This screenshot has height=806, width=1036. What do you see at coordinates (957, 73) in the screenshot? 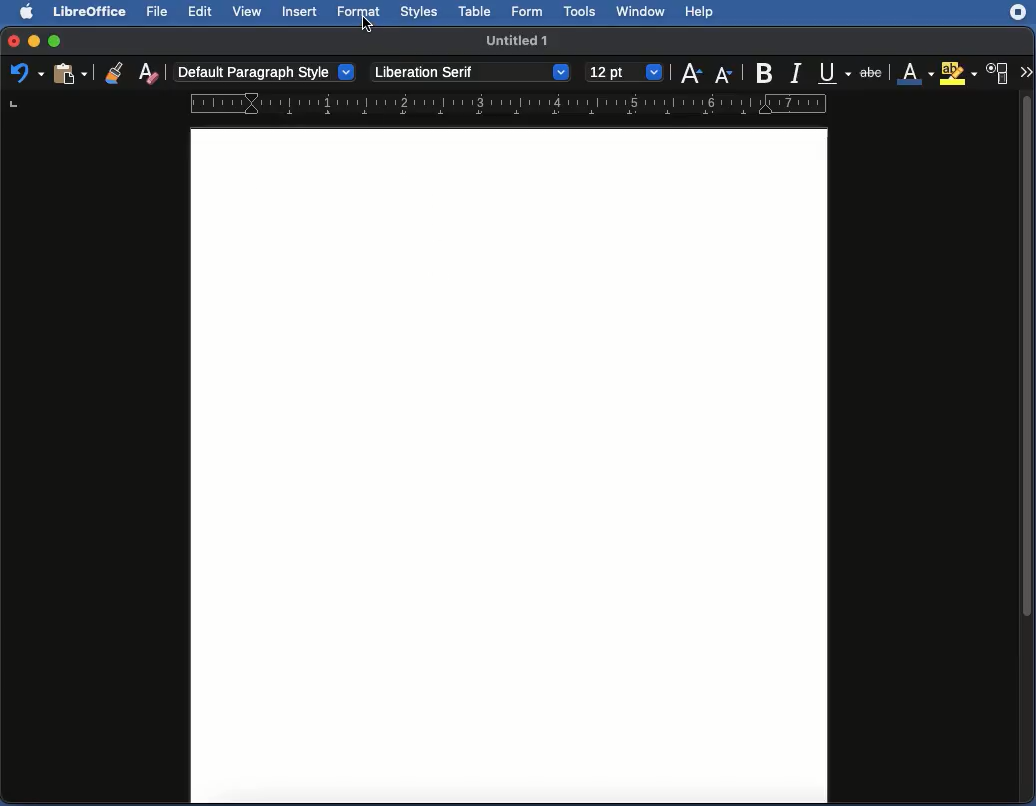
I see `Highlighting` at bounding box center [957, 73].